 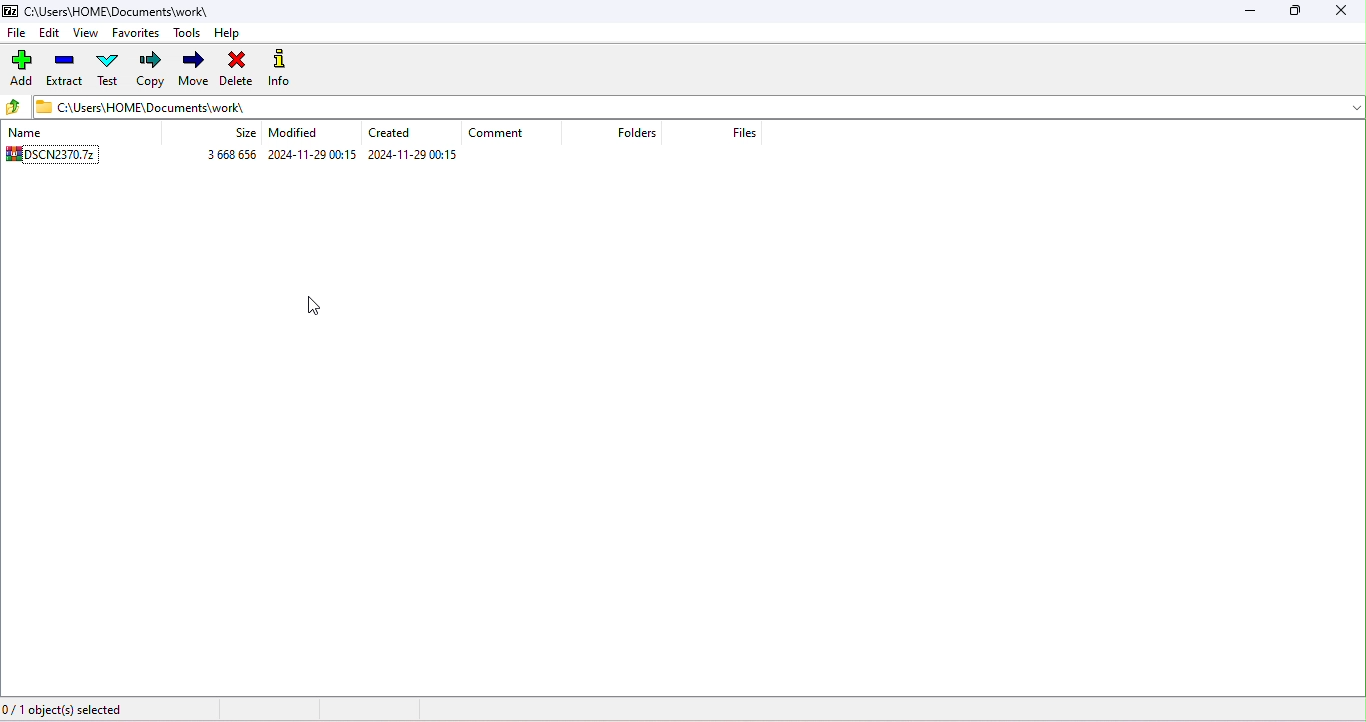 What do you see at coordinates (231, 36) in the screenshot?
I see `help` at bounding box center [231, 36].